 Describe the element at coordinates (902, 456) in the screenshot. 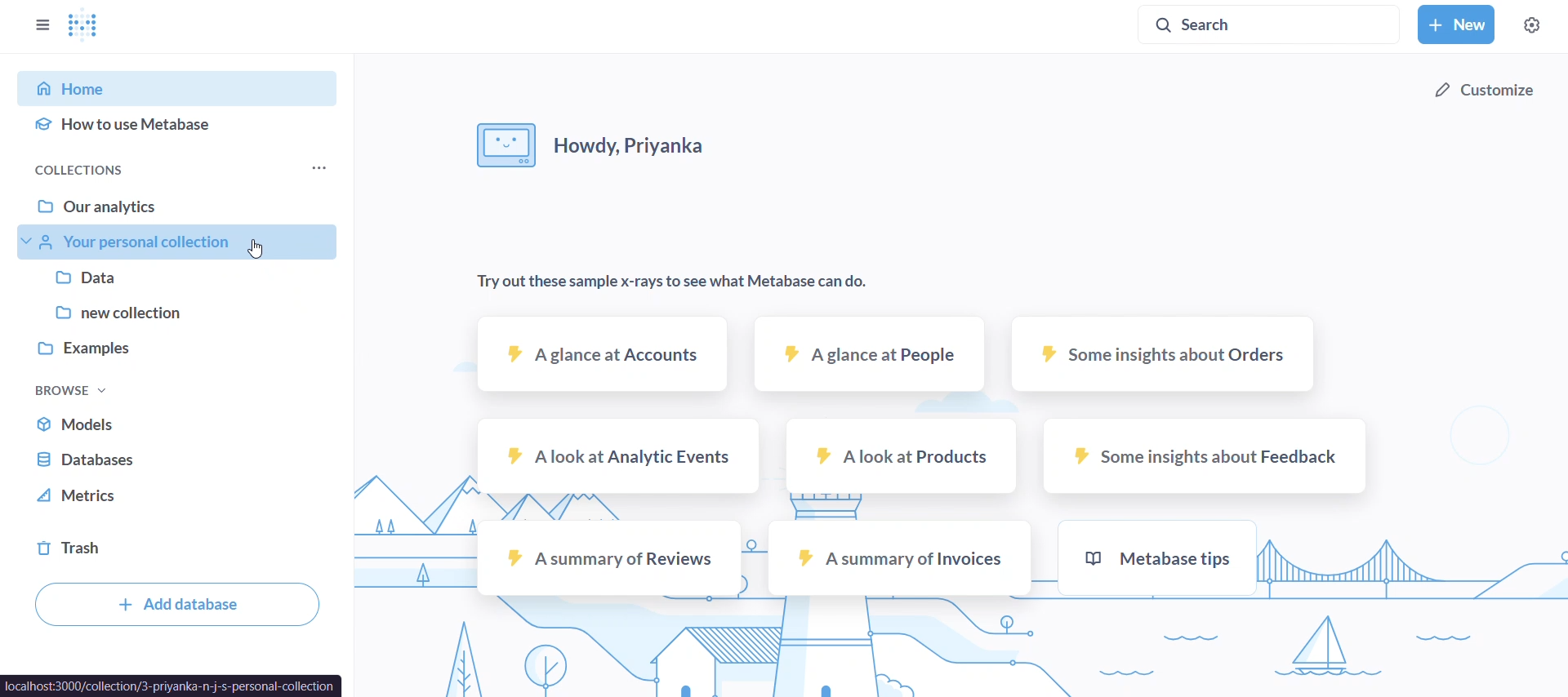

I see `a look at products` at that location.